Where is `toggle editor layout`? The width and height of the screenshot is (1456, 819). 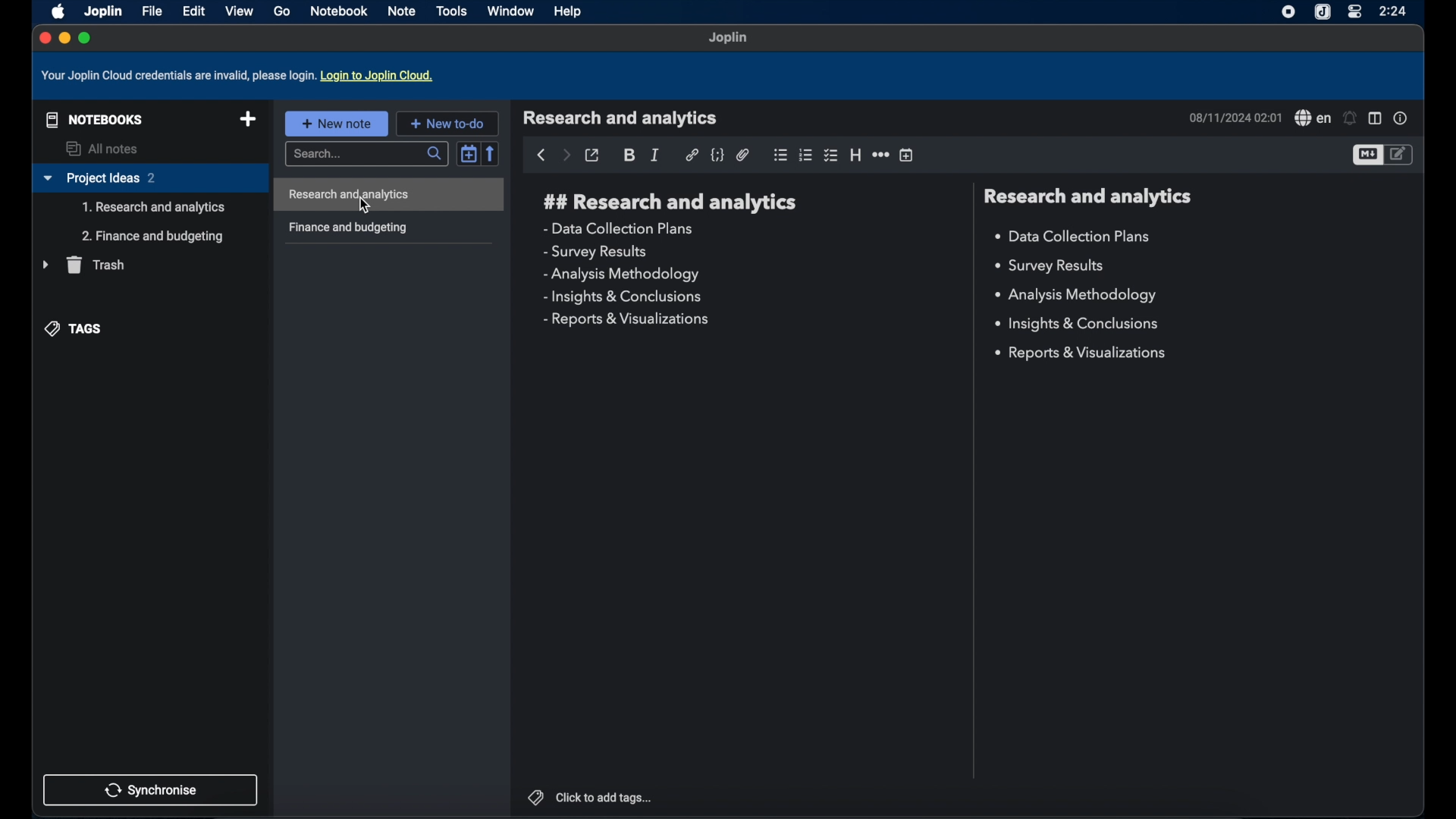
toggle editor layout is located at coordinates (1375, 119).